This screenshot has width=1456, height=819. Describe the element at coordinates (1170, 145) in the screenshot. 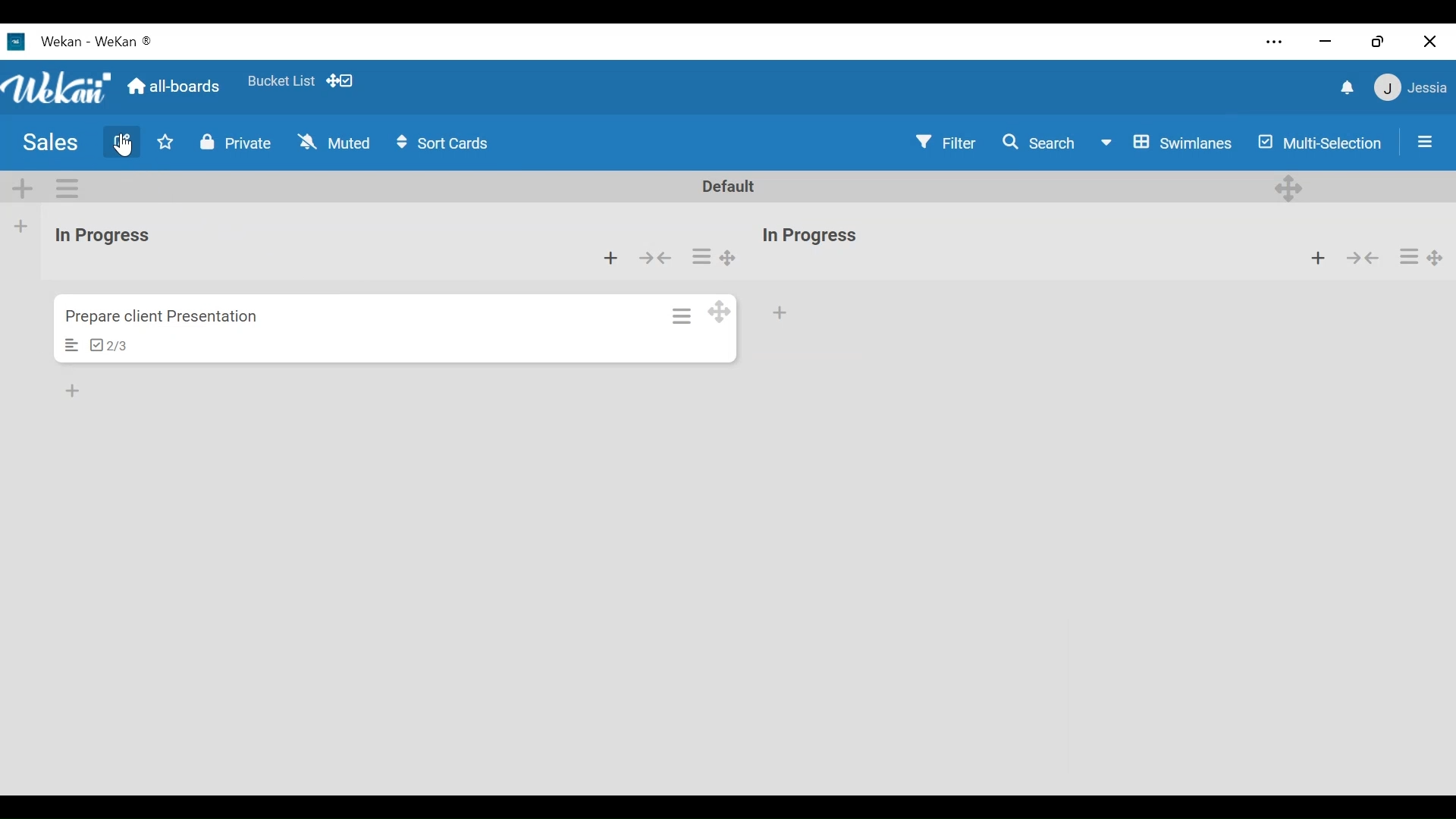

I see `Board view` at that location.